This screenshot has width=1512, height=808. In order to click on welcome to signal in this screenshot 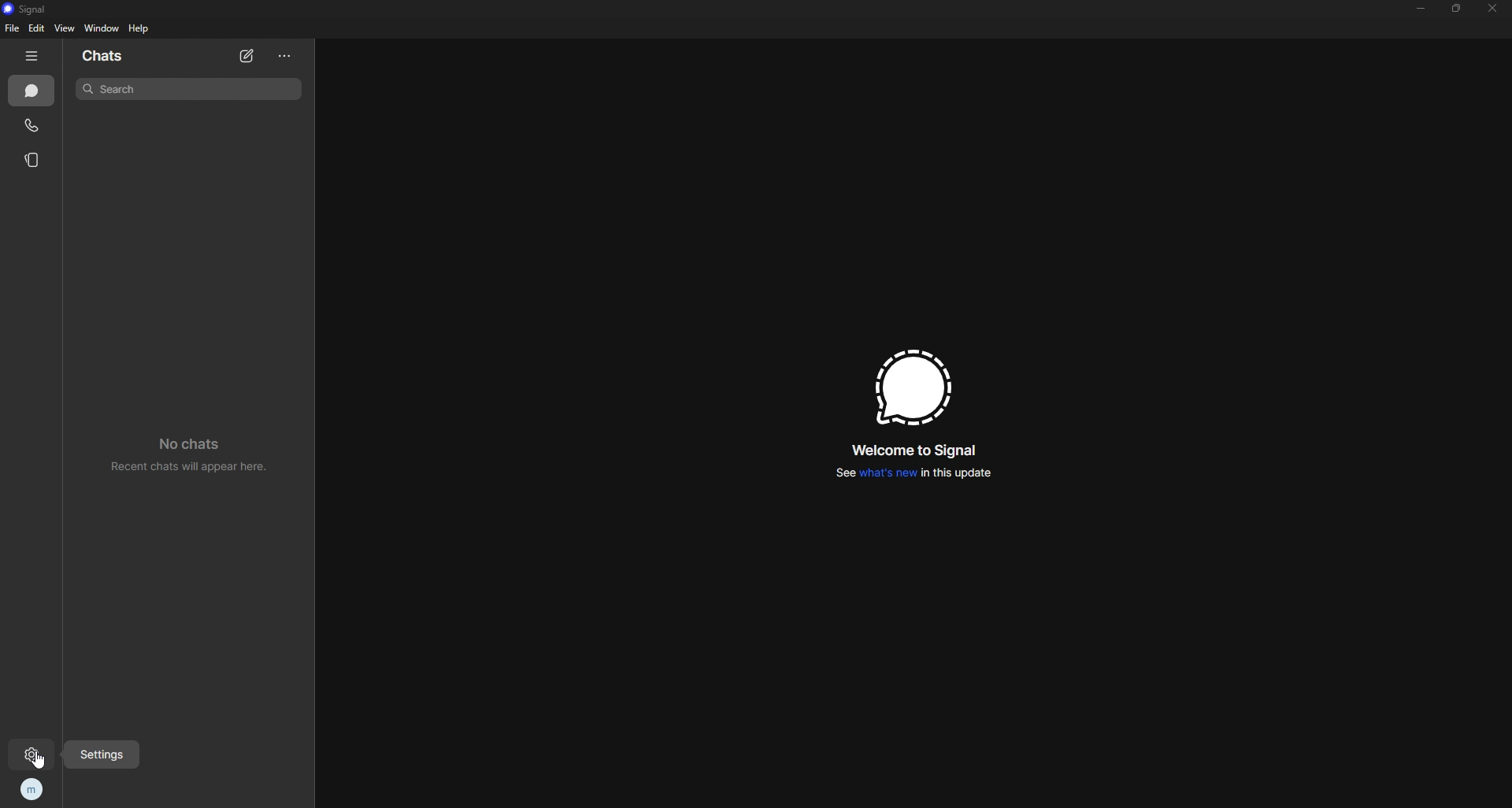, I will do `click(917, 453)`.